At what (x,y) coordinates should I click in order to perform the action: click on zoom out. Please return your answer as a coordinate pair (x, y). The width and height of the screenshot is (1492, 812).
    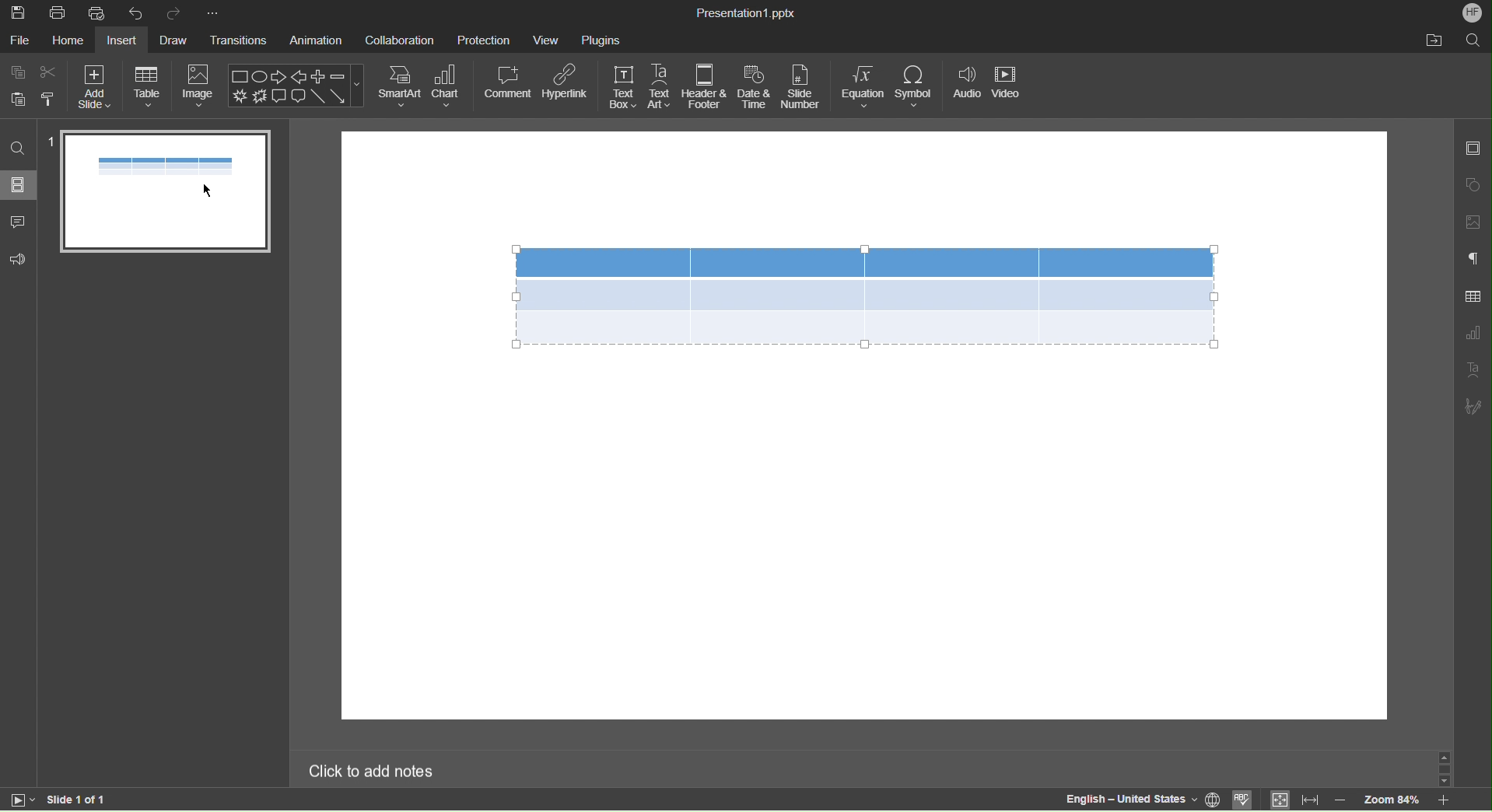
    Looking at the image, I should click on (1340, 800).